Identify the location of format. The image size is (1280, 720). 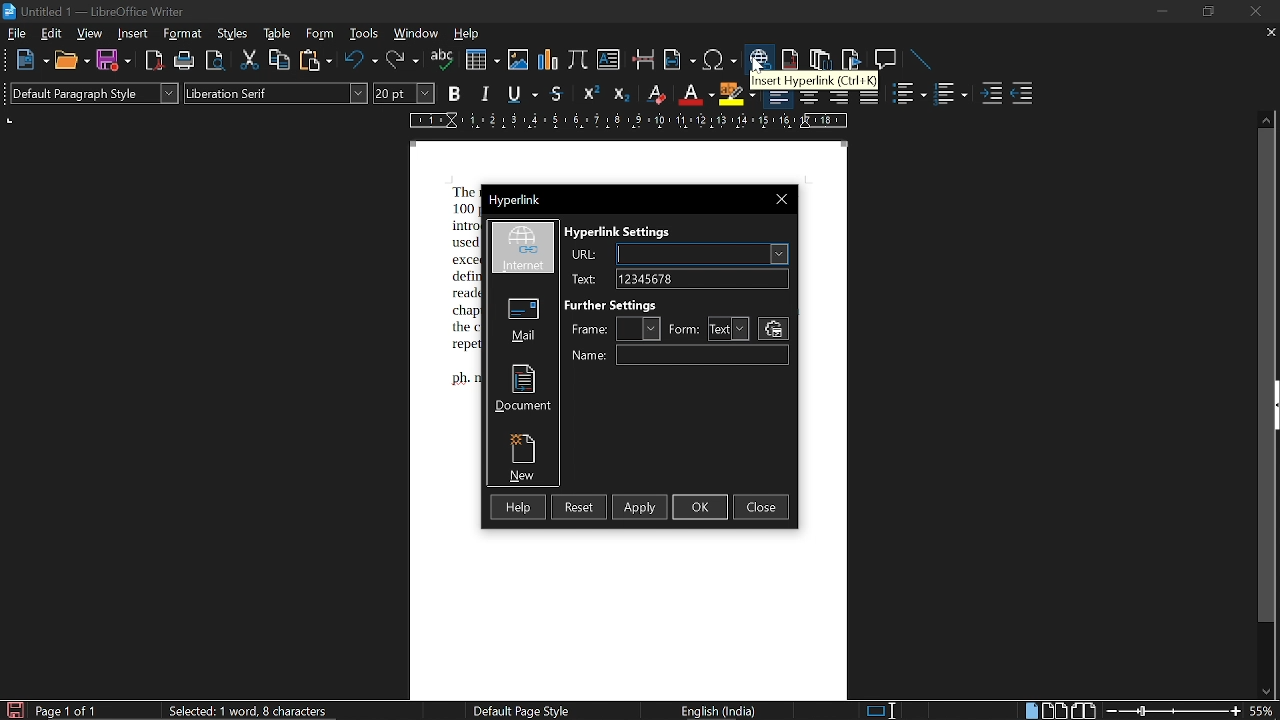
(180, 35).